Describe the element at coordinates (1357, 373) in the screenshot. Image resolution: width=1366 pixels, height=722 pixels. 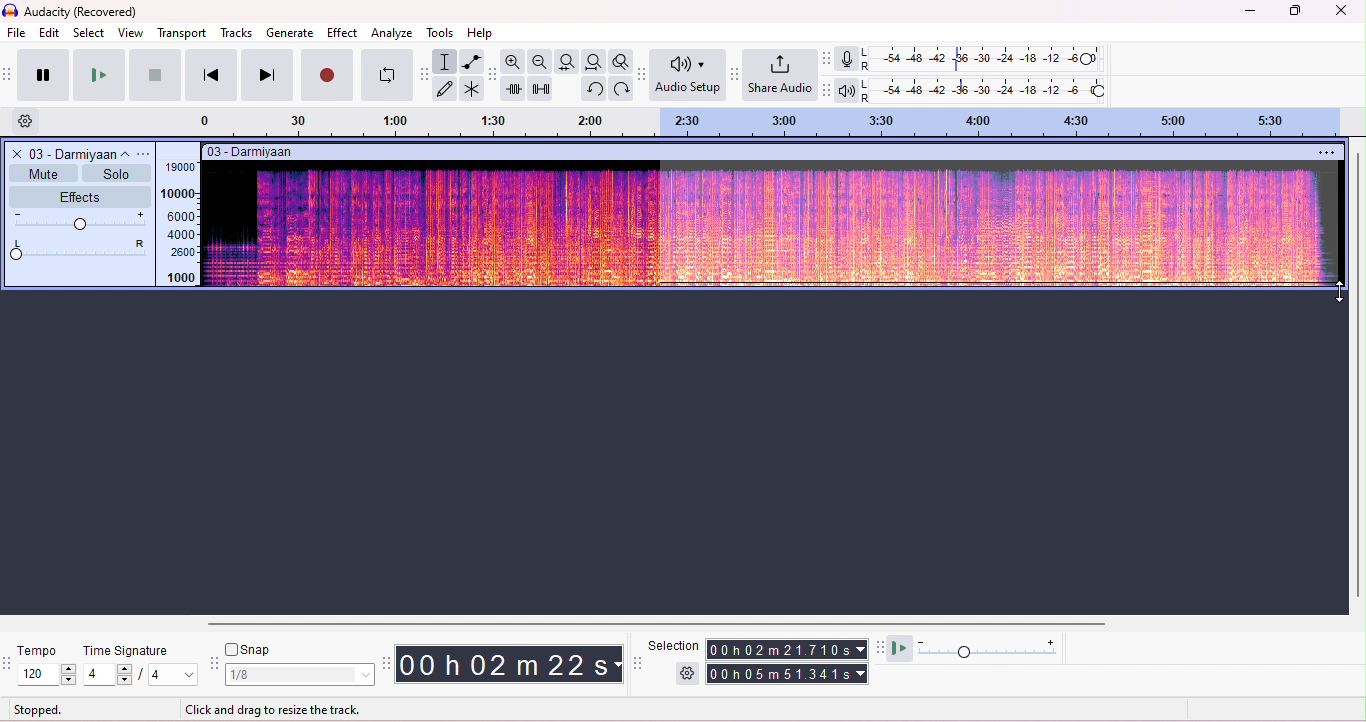
I see `vertical scroll bar` at that location.